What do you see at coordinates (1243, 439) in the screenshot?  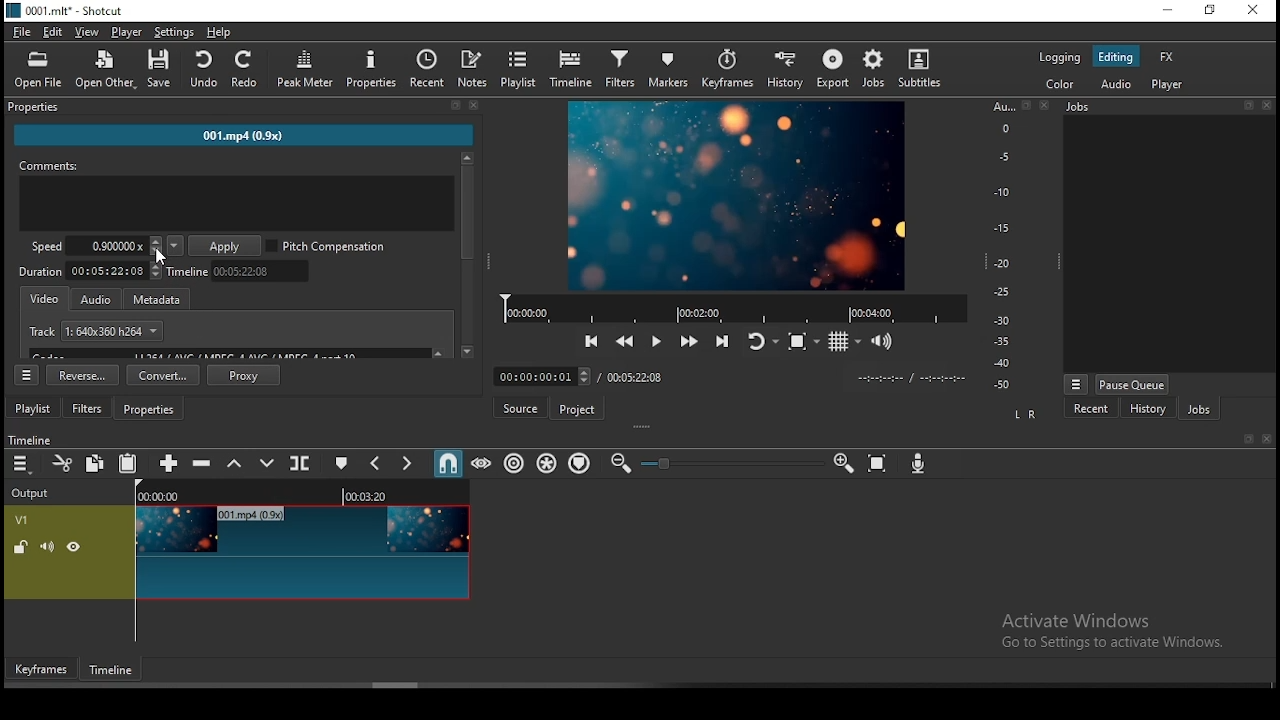 I see `bookmark` at bounding box center [1243, 439].